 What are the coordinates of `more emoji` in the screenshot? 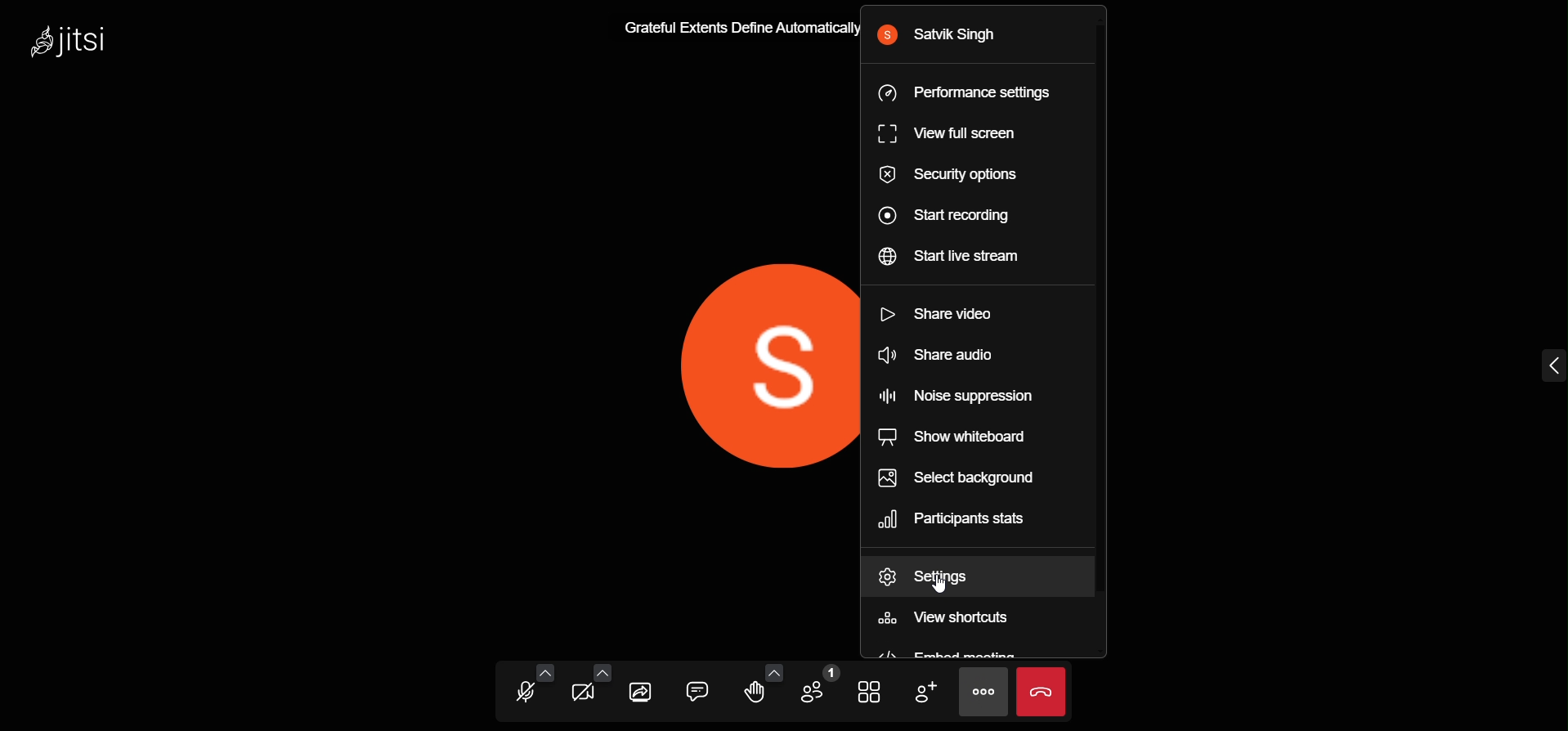 It's located at (773, 670).